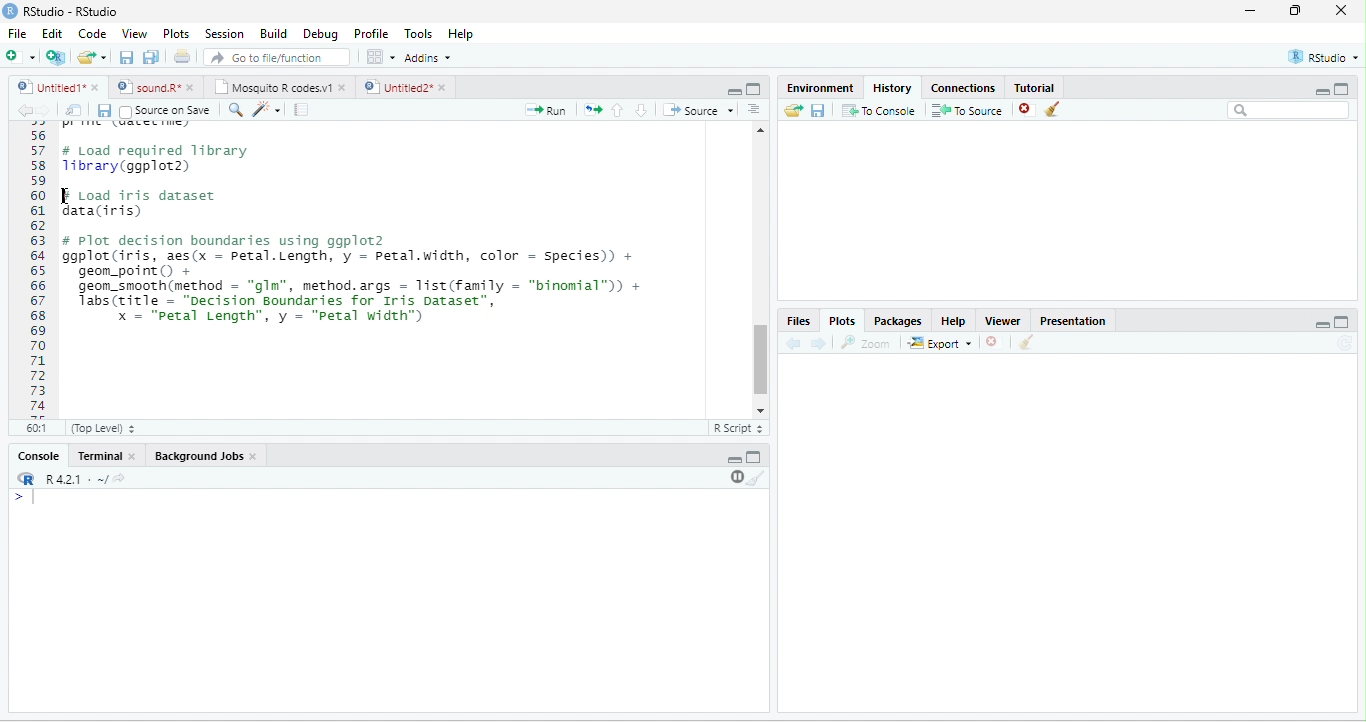 The width and height of the screenshot is (1366, 722). What do you see at coordinates (1035, 88) in the screenshot?
I see `Tutorial` at bounding box center [1035, 88].